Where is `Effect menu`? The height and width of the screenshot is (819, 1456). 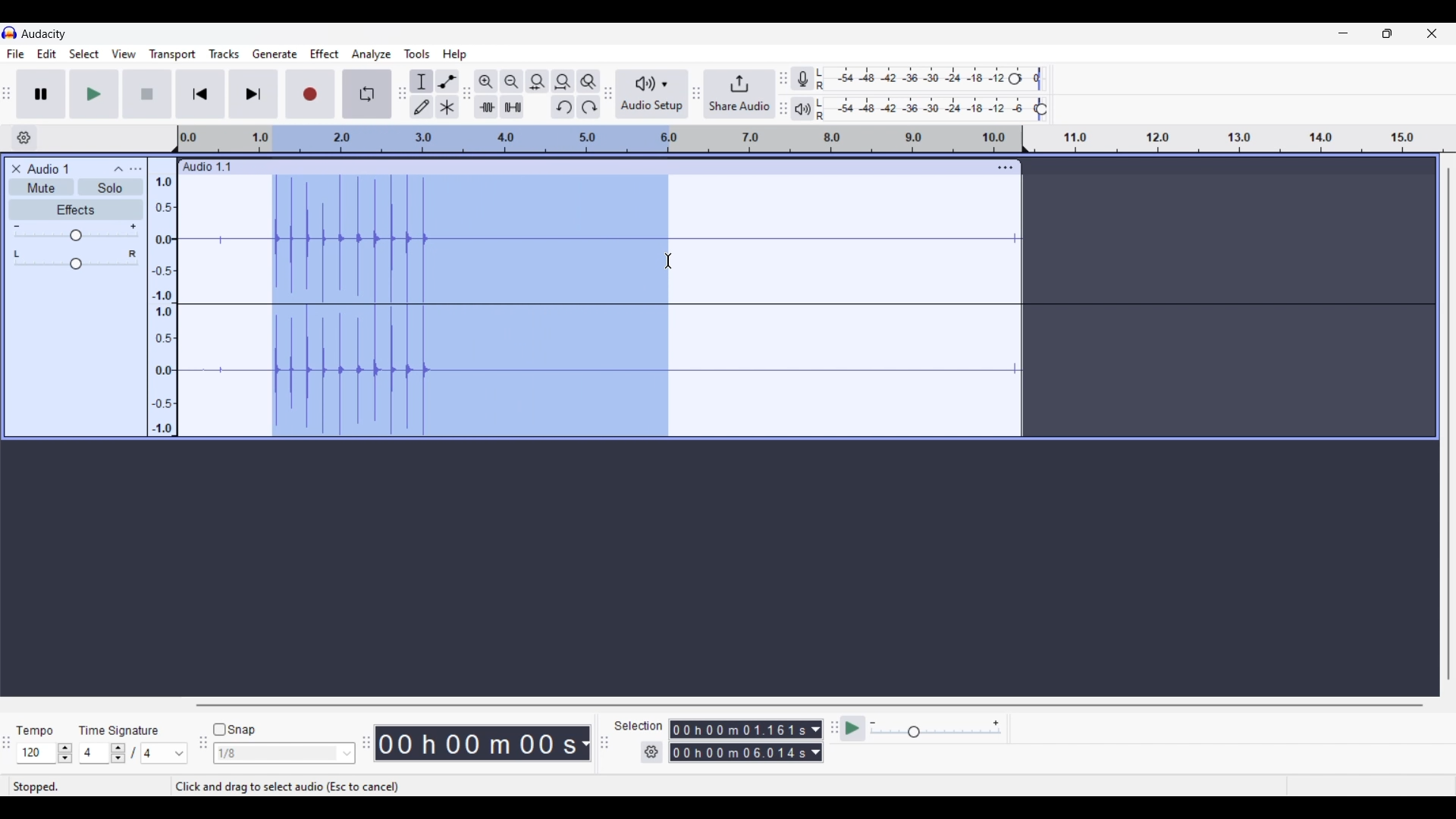 Effect menu is located at coordinates (324, 54).